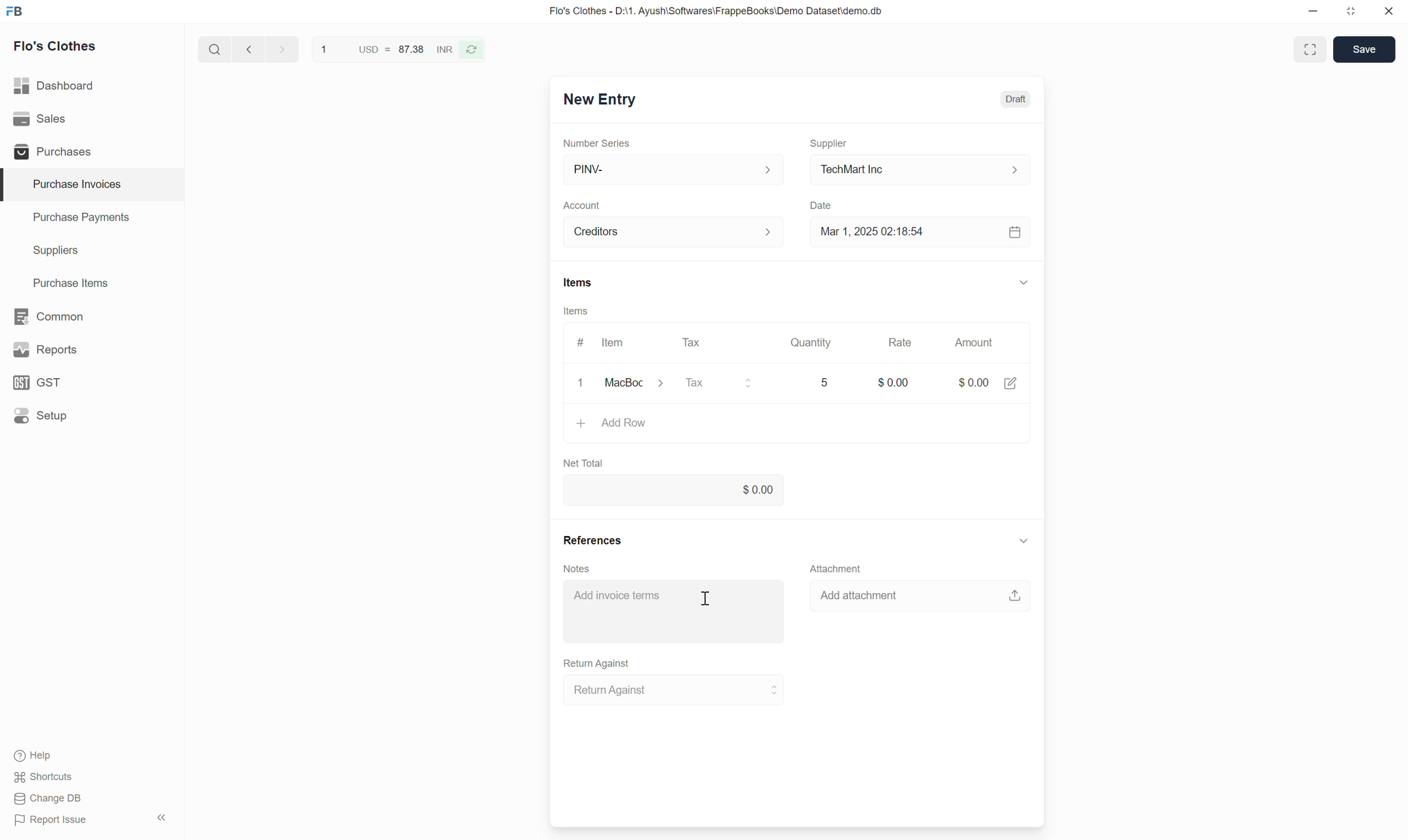  What do you see at coordinates (284, 49) in the screenshot?
I see `next` at bounding box center [284, 49].